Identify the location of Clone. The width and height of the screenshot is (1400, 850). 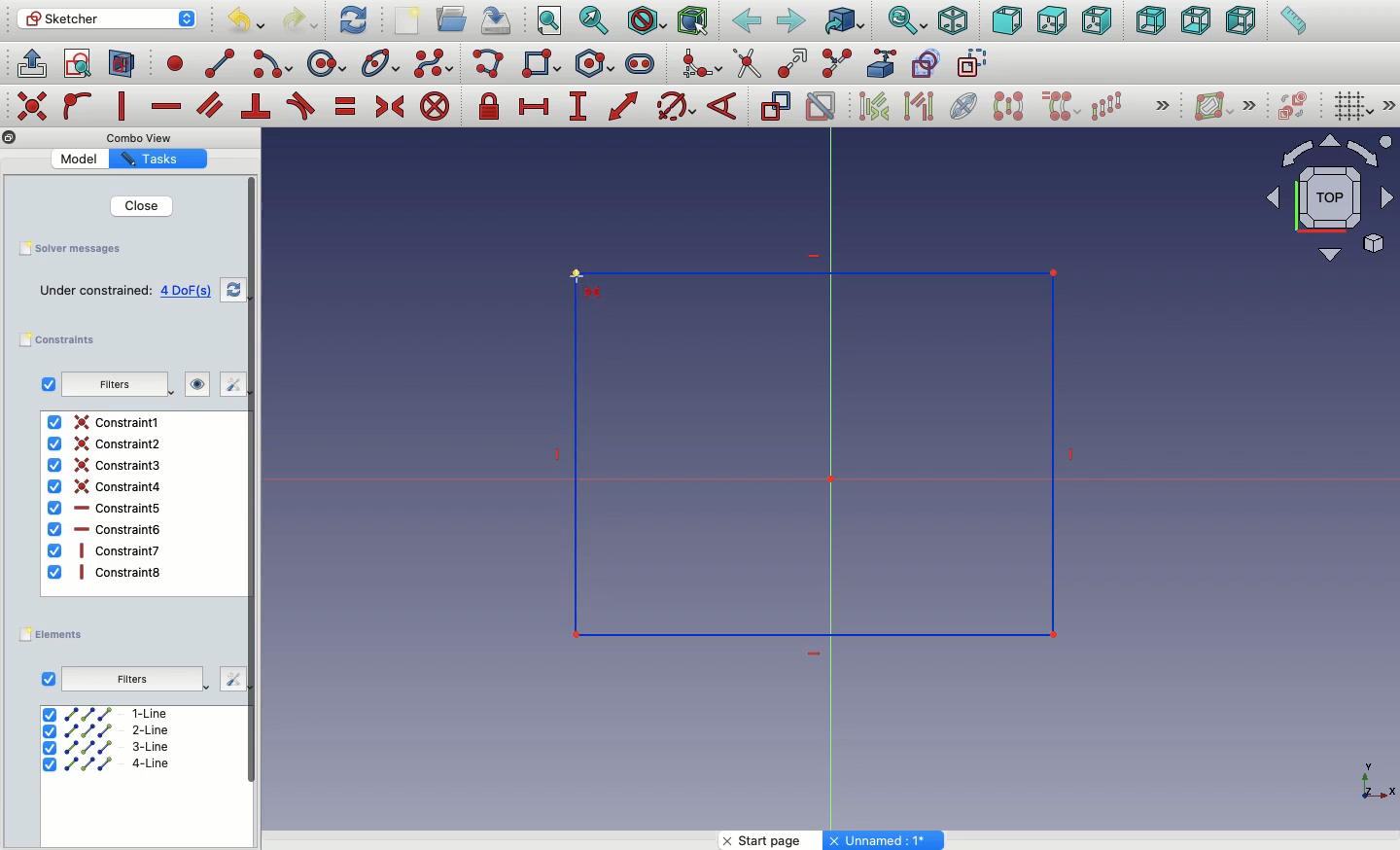
(1059, 107).